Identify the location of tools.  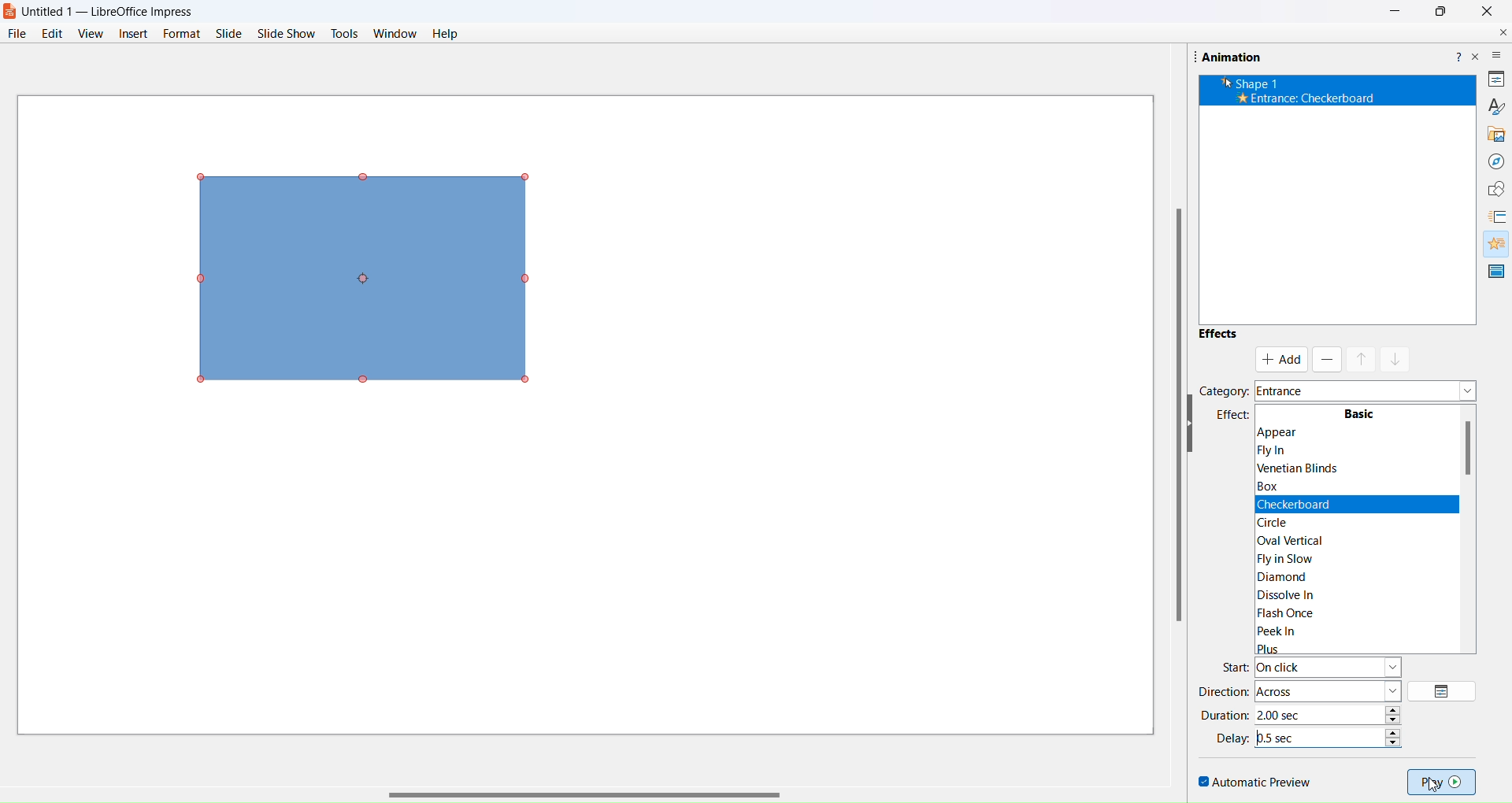
(344, 33).